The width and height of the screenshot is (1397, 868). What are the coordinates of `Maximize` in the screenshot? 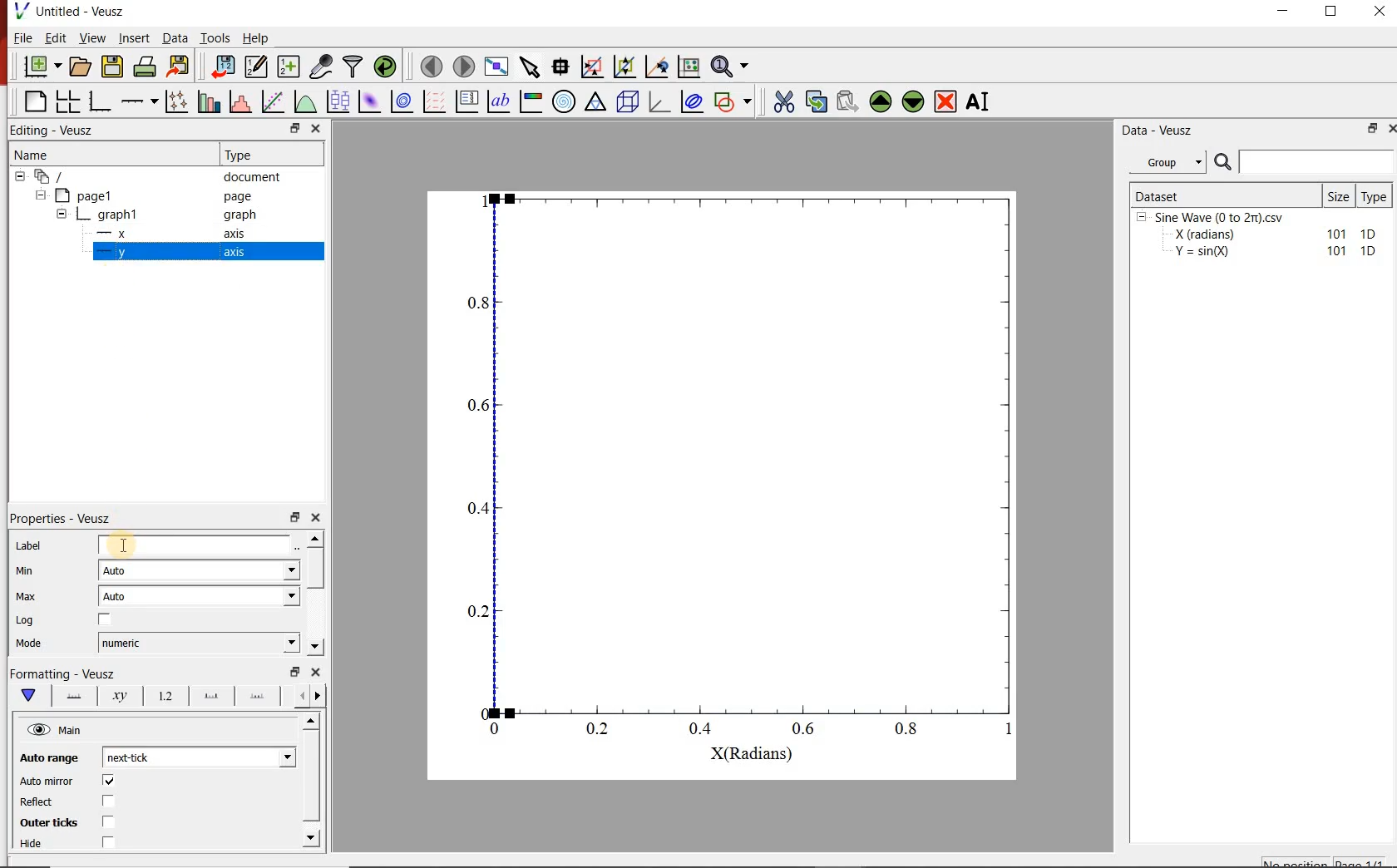 It's located at (1332, 12).